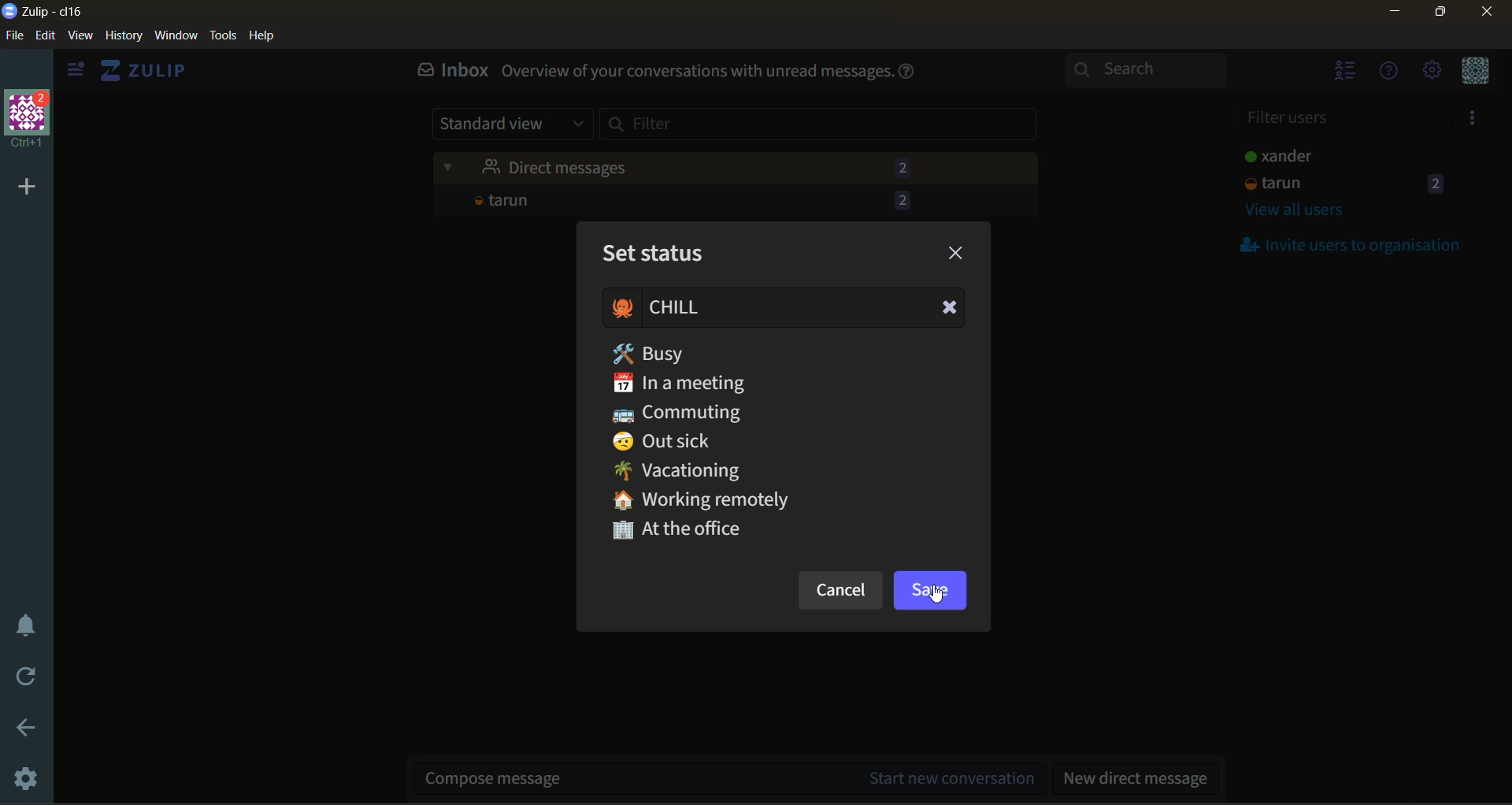 The image size is (1512, 805). Describe the element at coordinates (680, 440) in the screenshot. I see `Out sick` at that location.